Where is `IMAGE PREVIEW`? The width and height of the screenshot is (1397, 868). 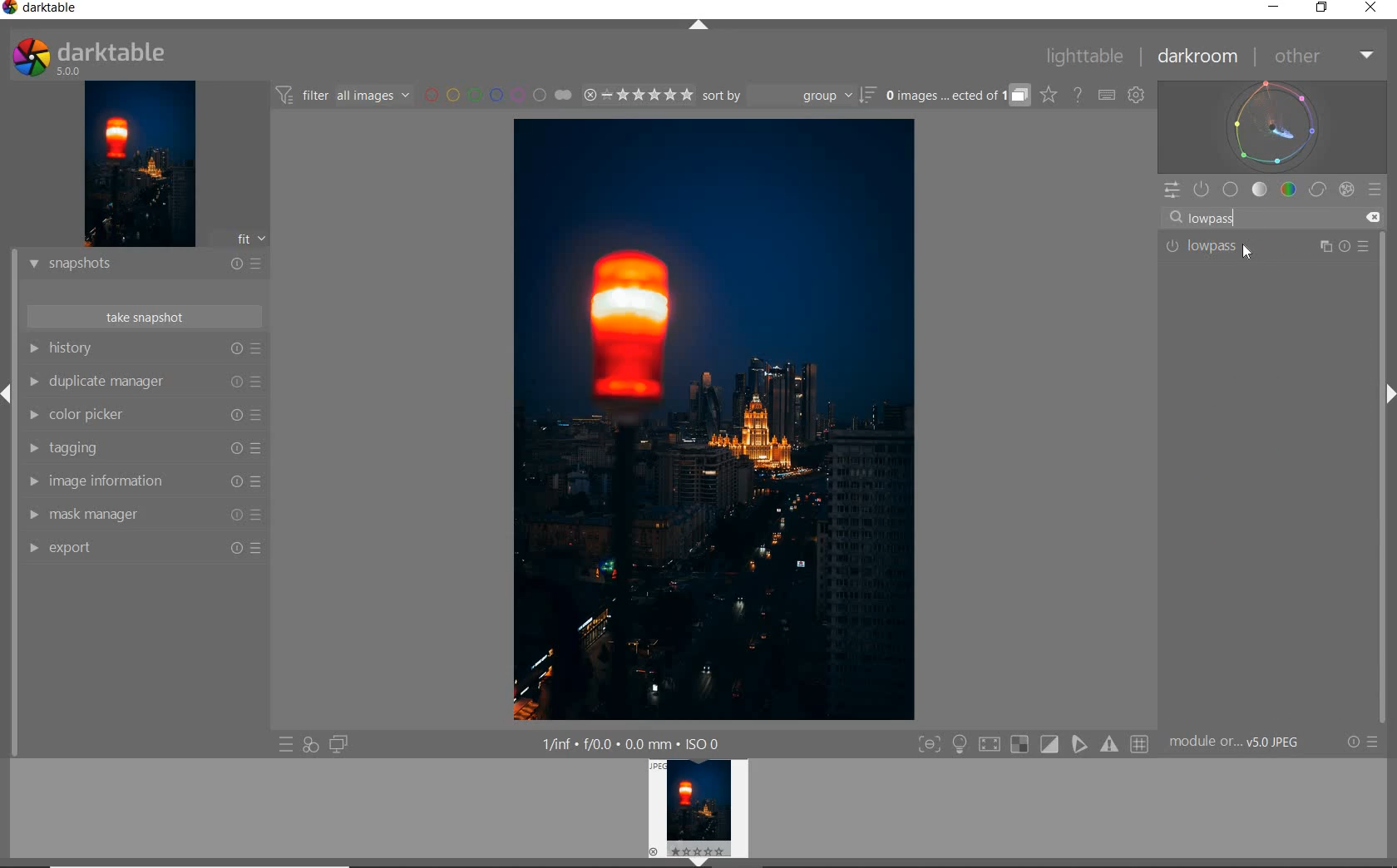
IMAGE PREVIEW is located at coordinates (701, 813).